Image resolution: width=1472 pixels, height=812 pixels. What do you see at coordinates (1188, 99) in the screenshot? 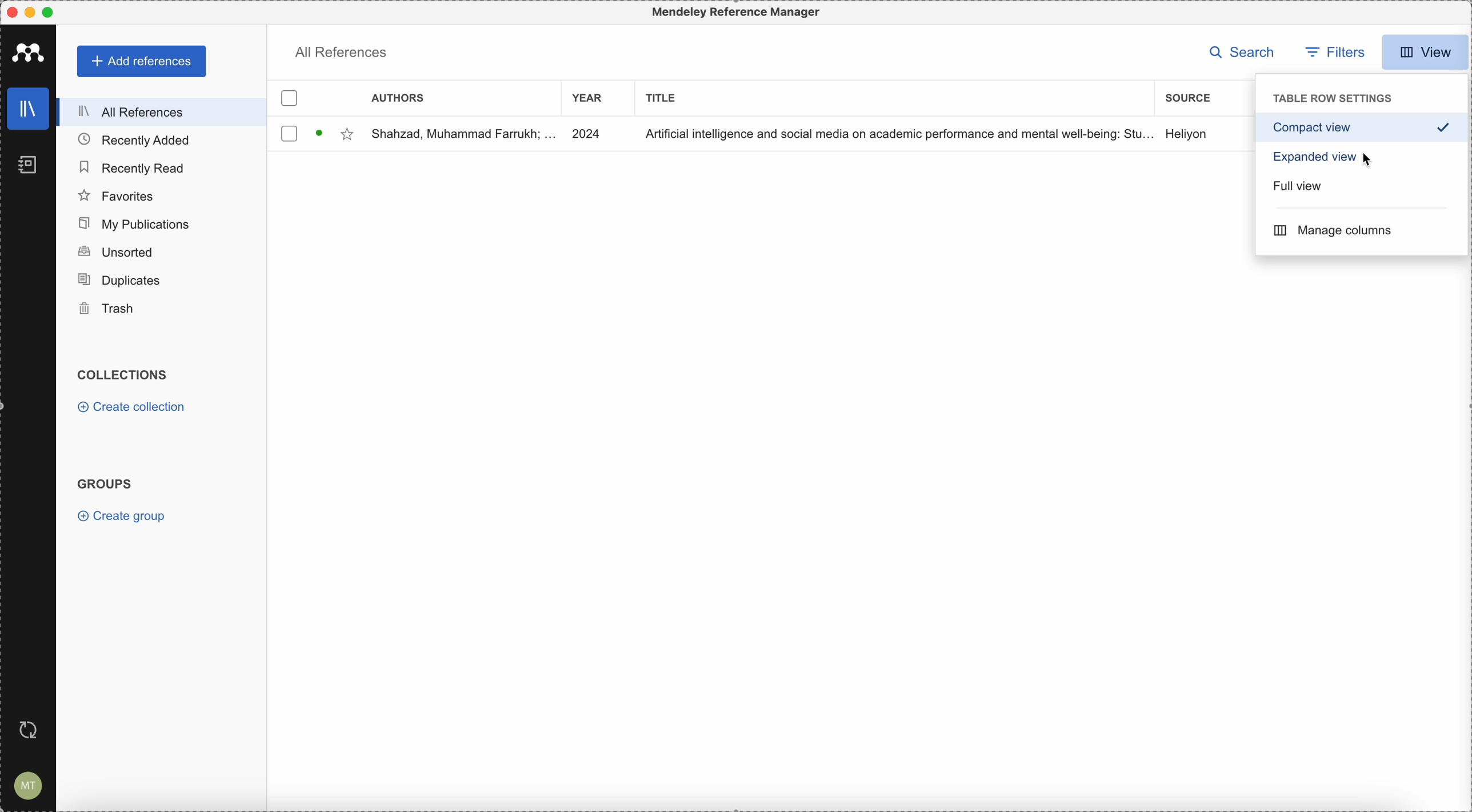
I see `source` at bounding box center [1188, 99].